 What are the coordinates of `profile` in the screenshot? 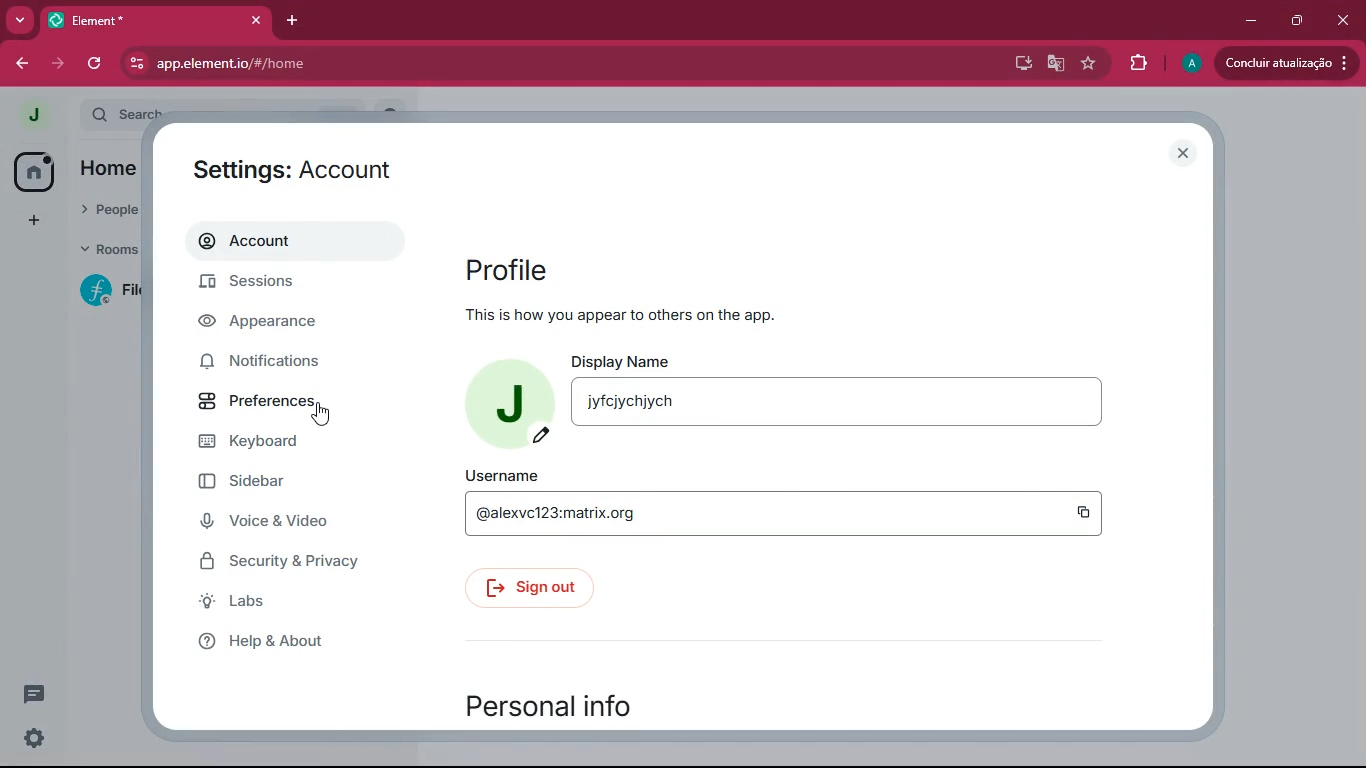 It's located at (1187, 63).